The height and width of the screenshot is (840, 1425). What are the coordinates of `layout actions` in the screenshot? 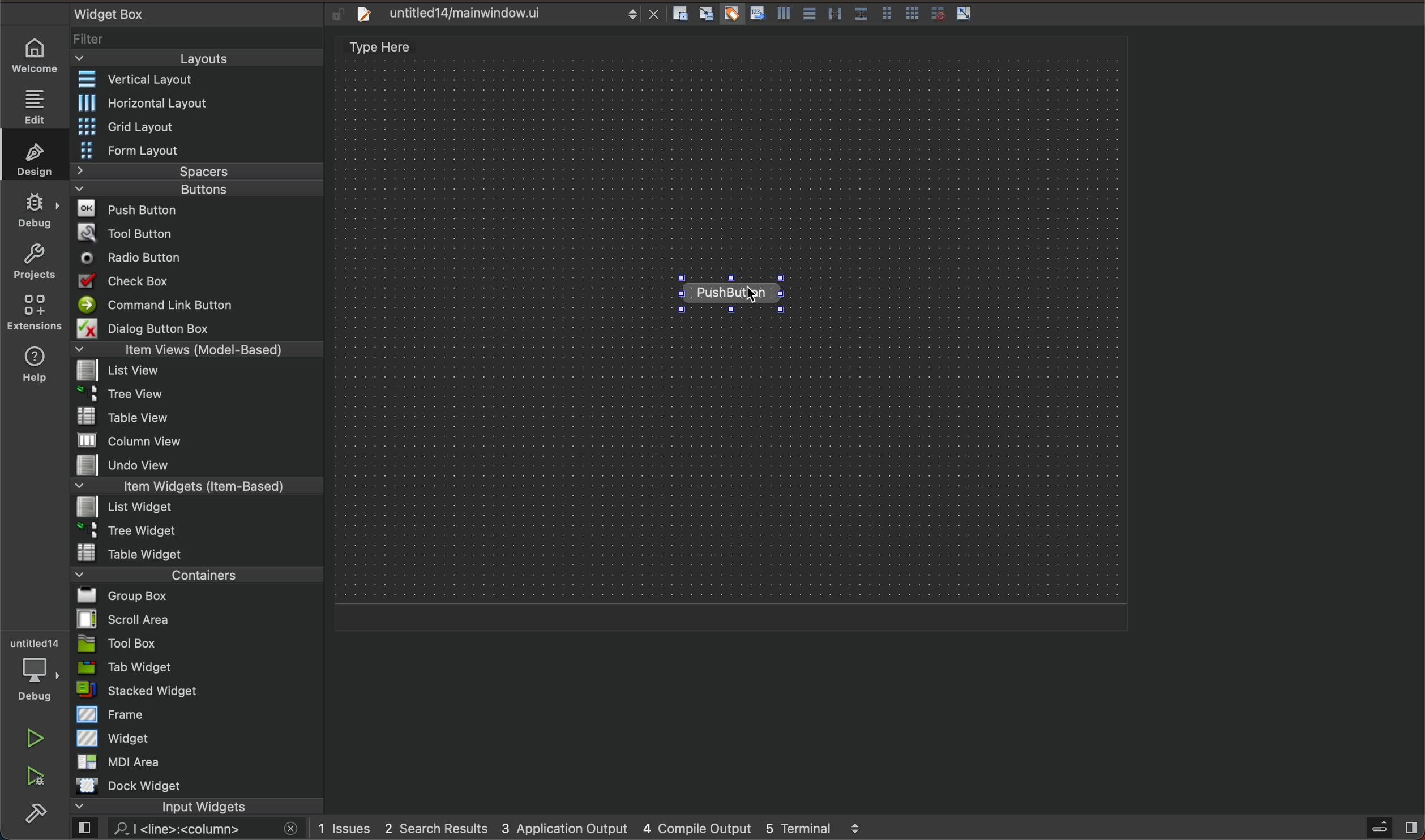 It's located at (831, 14).